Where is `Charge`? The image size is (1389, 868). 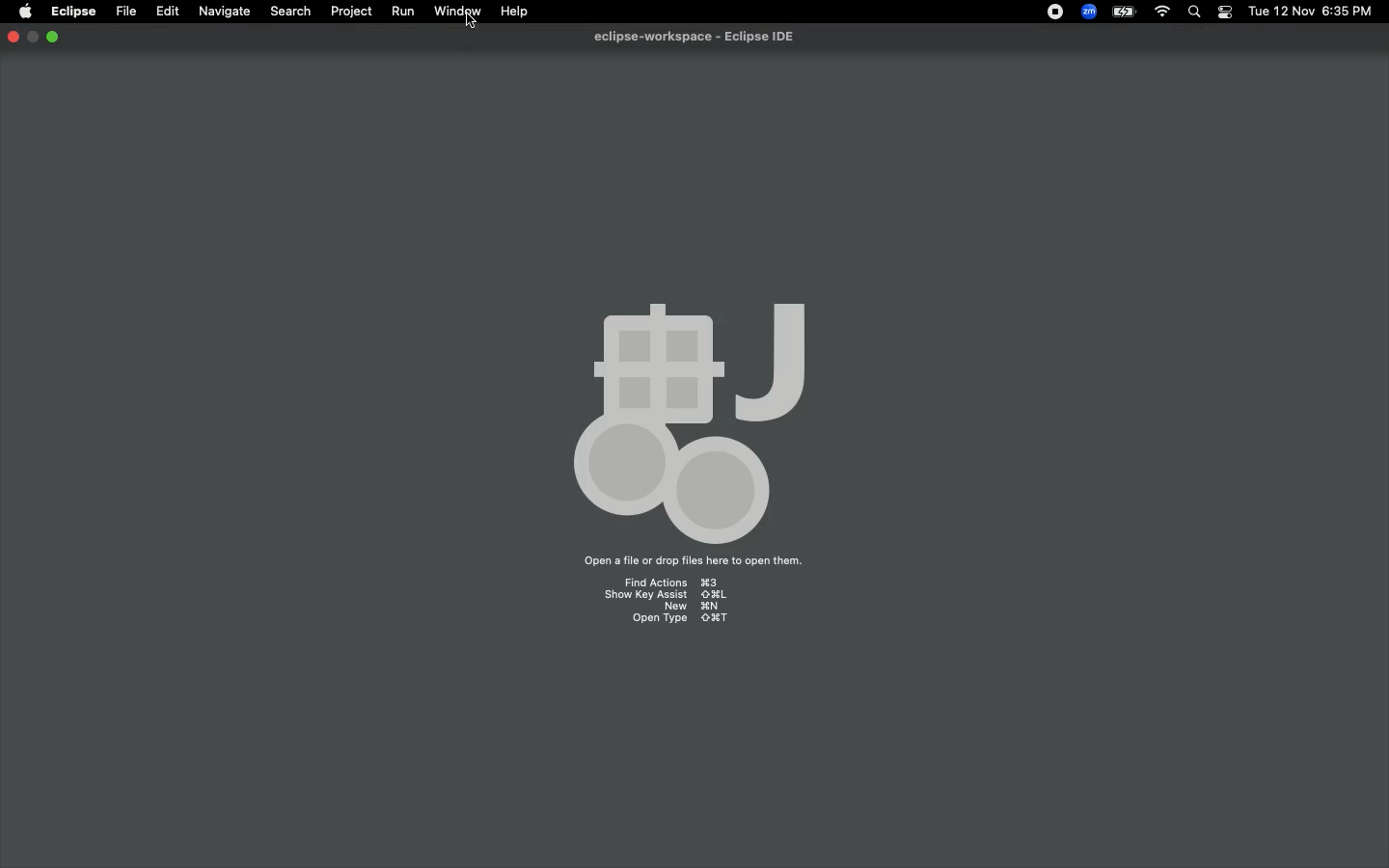
Charge is located at coordinates (1122, 12).